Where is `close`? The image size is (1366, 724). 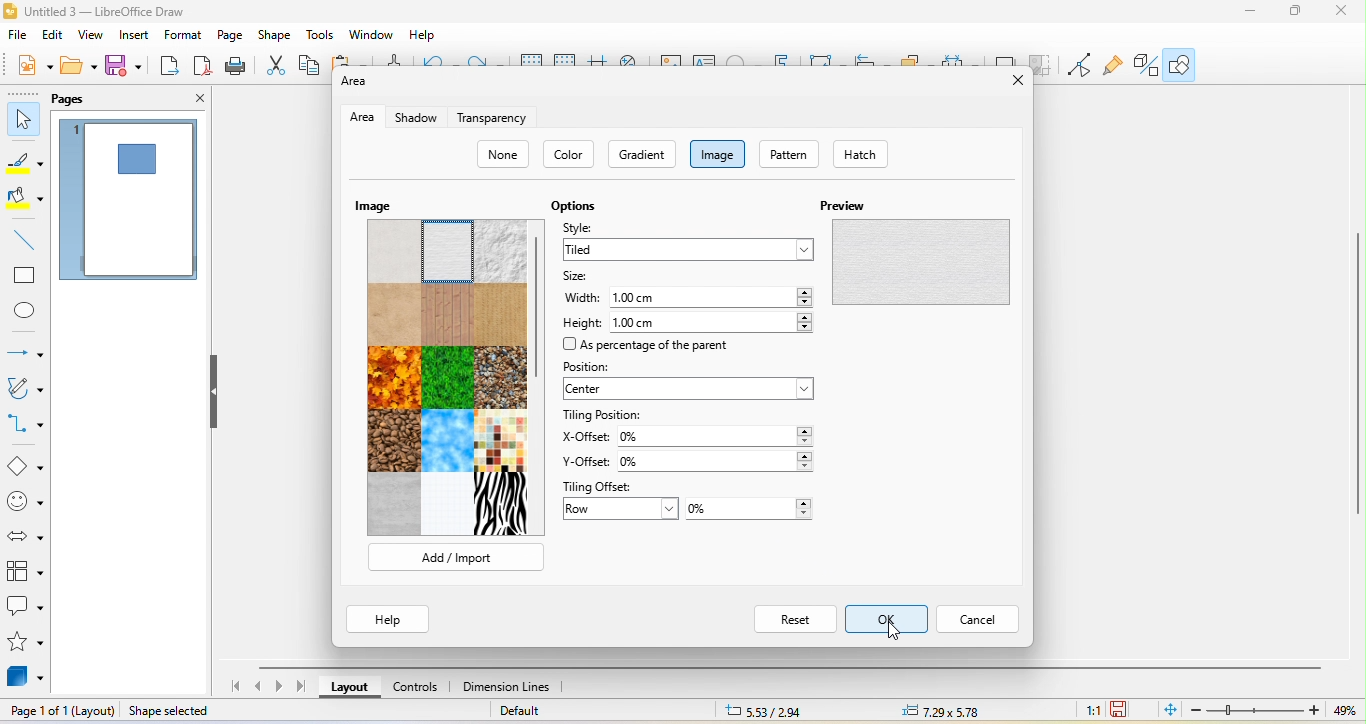
close is located at coordinates (188, 99).